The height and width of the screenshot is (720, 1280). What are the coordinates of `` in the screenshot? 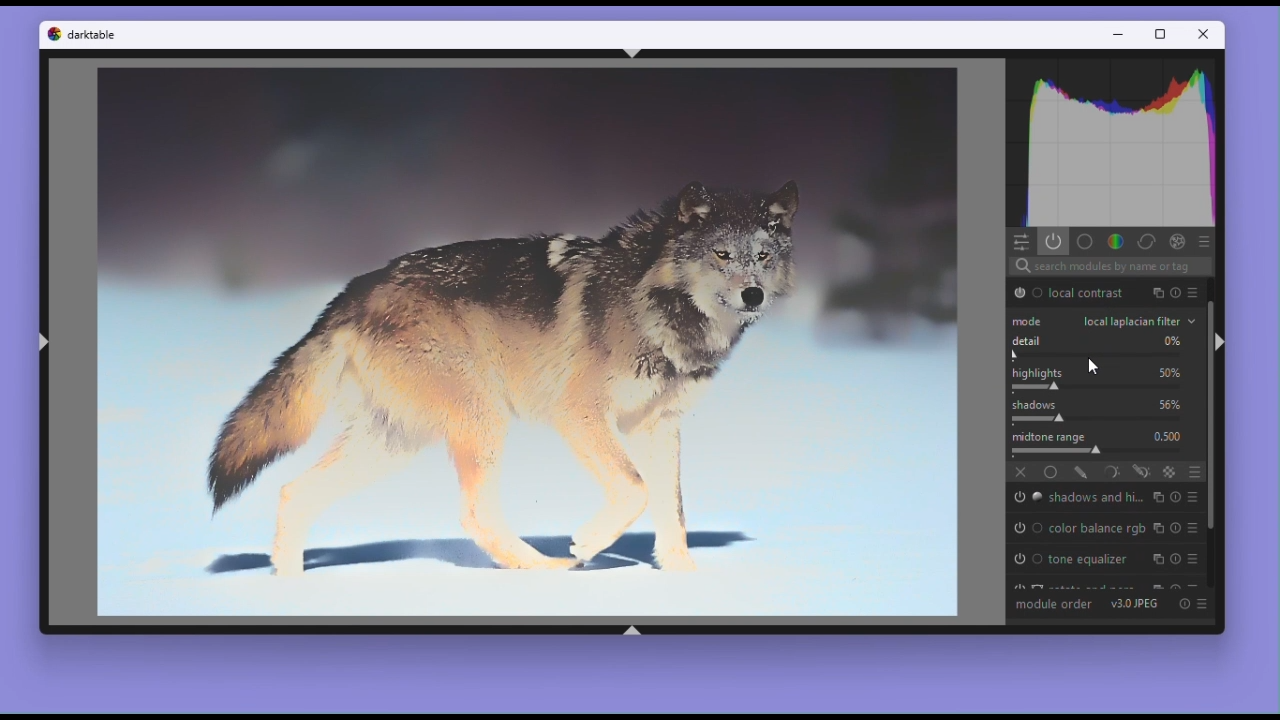 It's located at (1198, 293).